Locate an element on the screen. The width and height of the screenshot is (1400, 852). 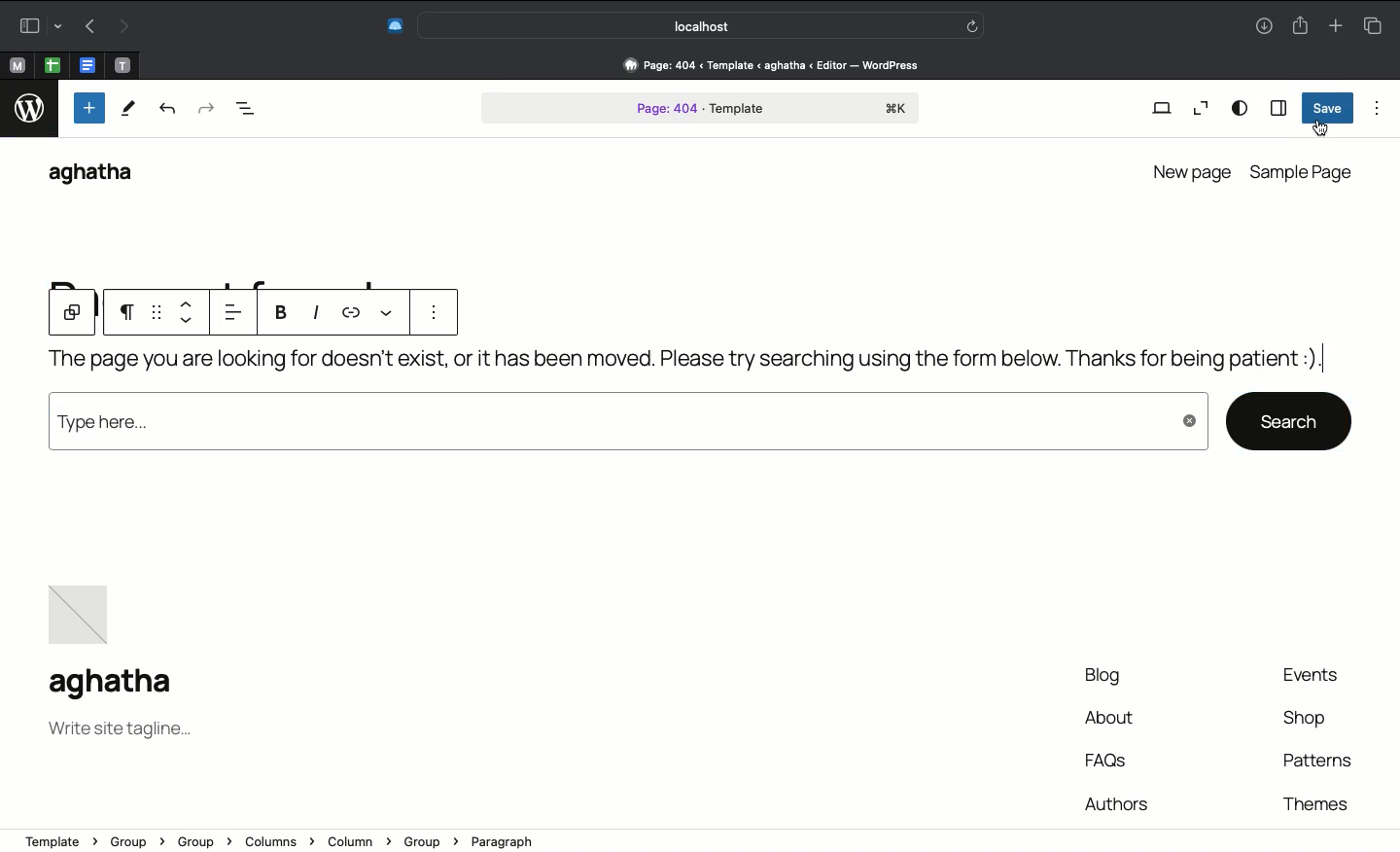
open tab, google docs is located at coordinates (86, 66).